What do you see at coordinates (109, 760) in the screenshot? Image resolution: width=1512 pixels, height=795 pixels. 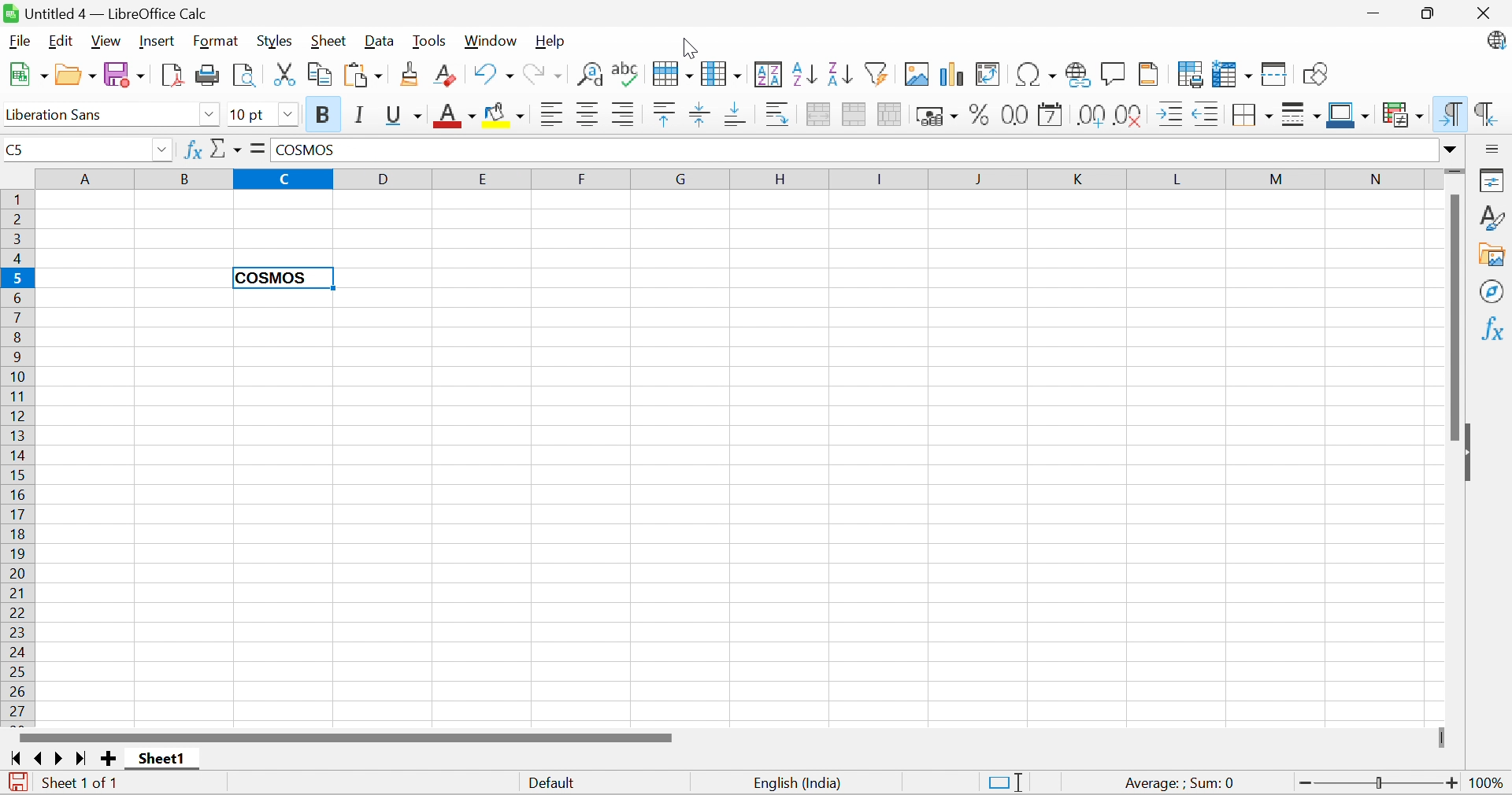 I see `Add New Sheet` at bounding box center [109, 760].